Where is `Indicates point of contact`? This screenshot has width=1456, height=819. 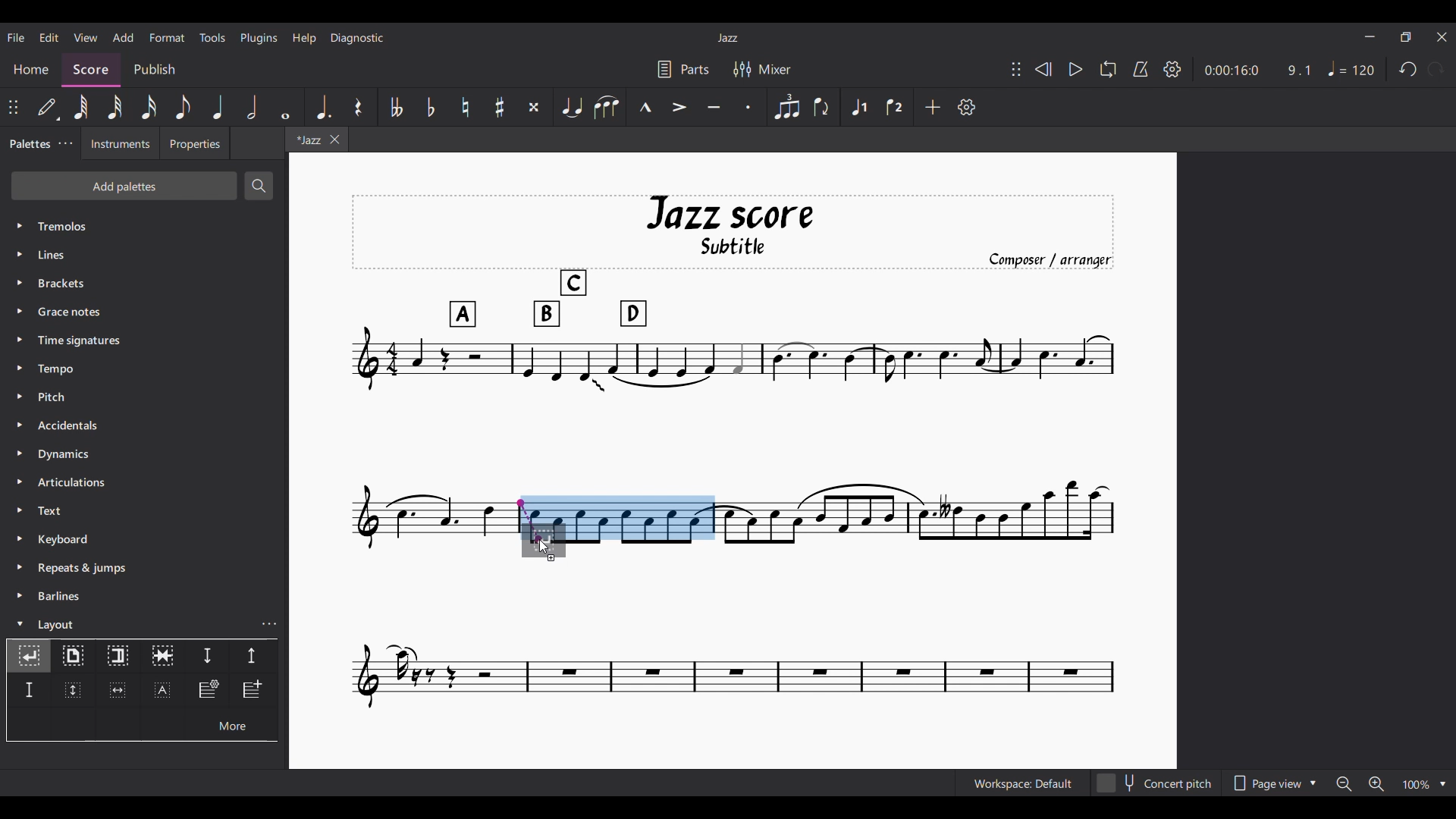
Indicates point of contact is located at coordinates (529, 520).